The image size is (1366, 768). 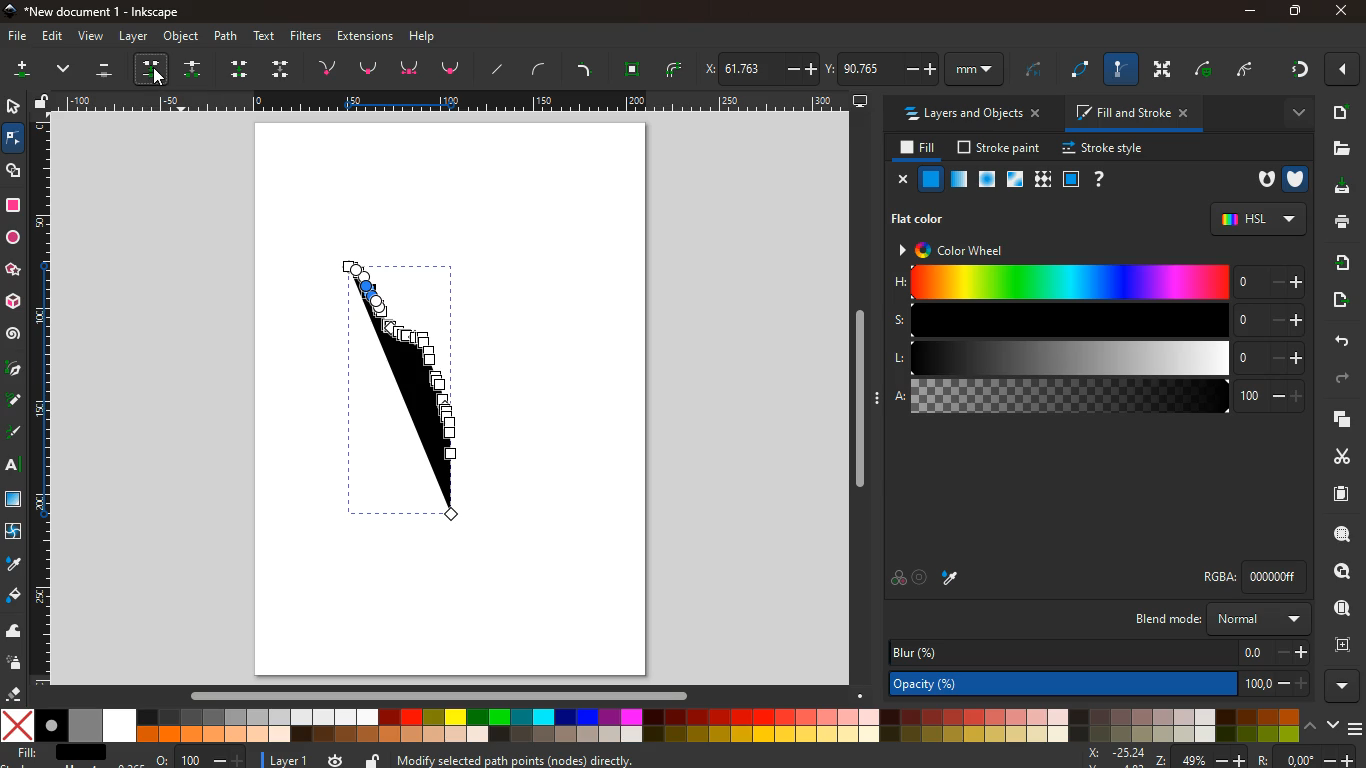 What do you see at coordinates (195, 69) in the screenshot?
I see `change` at bounding box center [195, 69].